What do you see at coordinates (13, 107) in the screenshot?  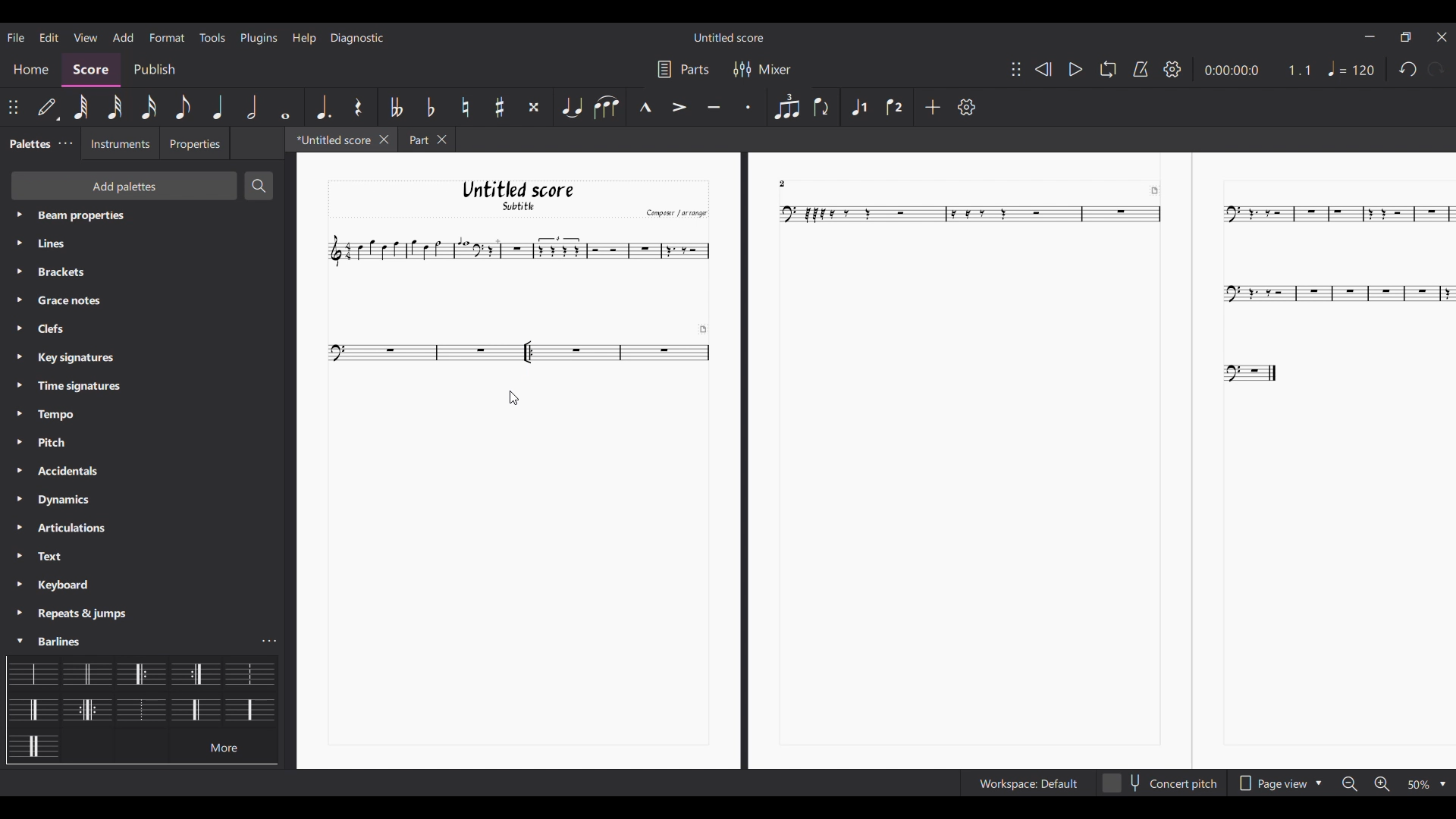 I see `Change position` at bounding box center [13, 107].